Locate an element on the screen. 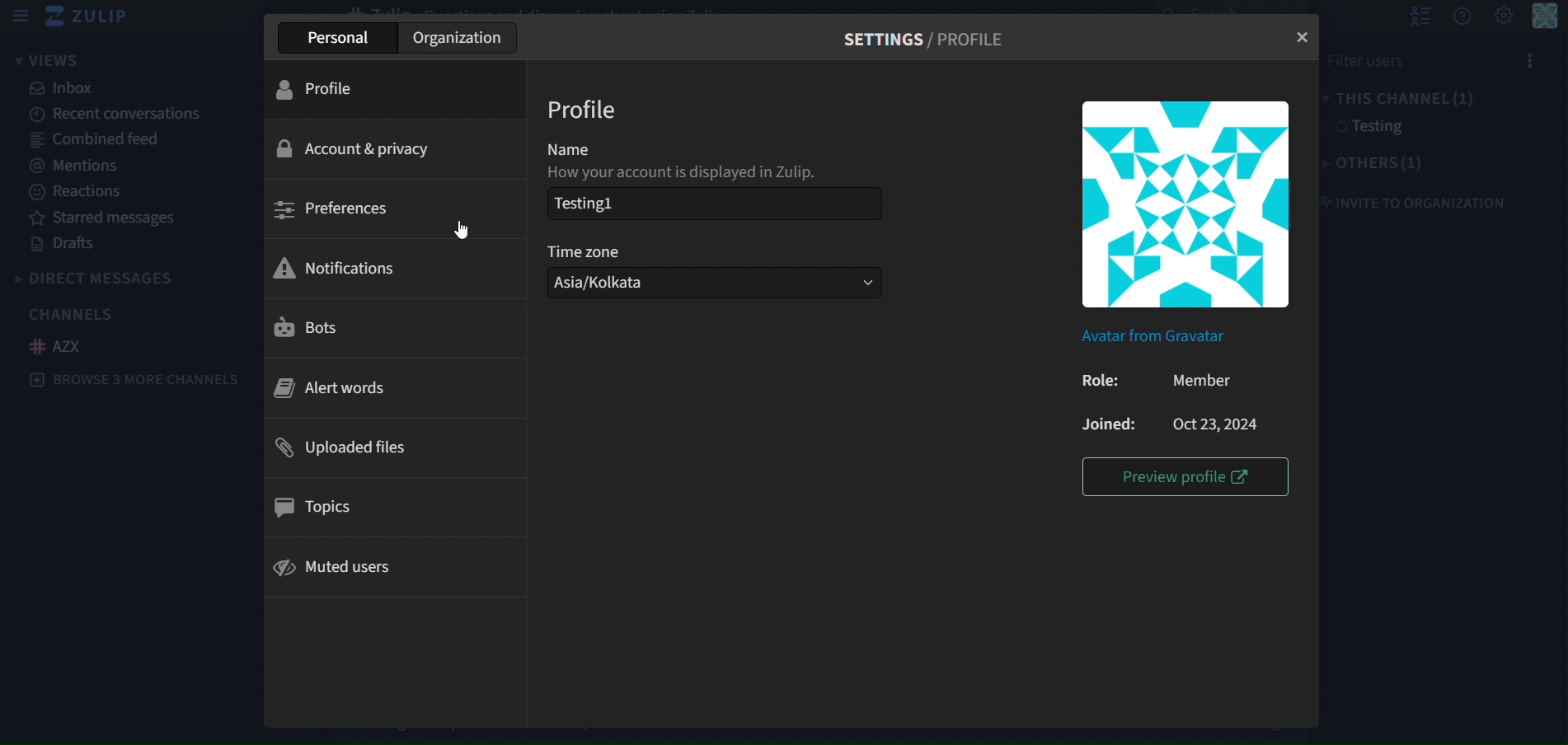 The width and height of the screenshot is (1568, 745). sidebar is located at coordinates (20, 16).